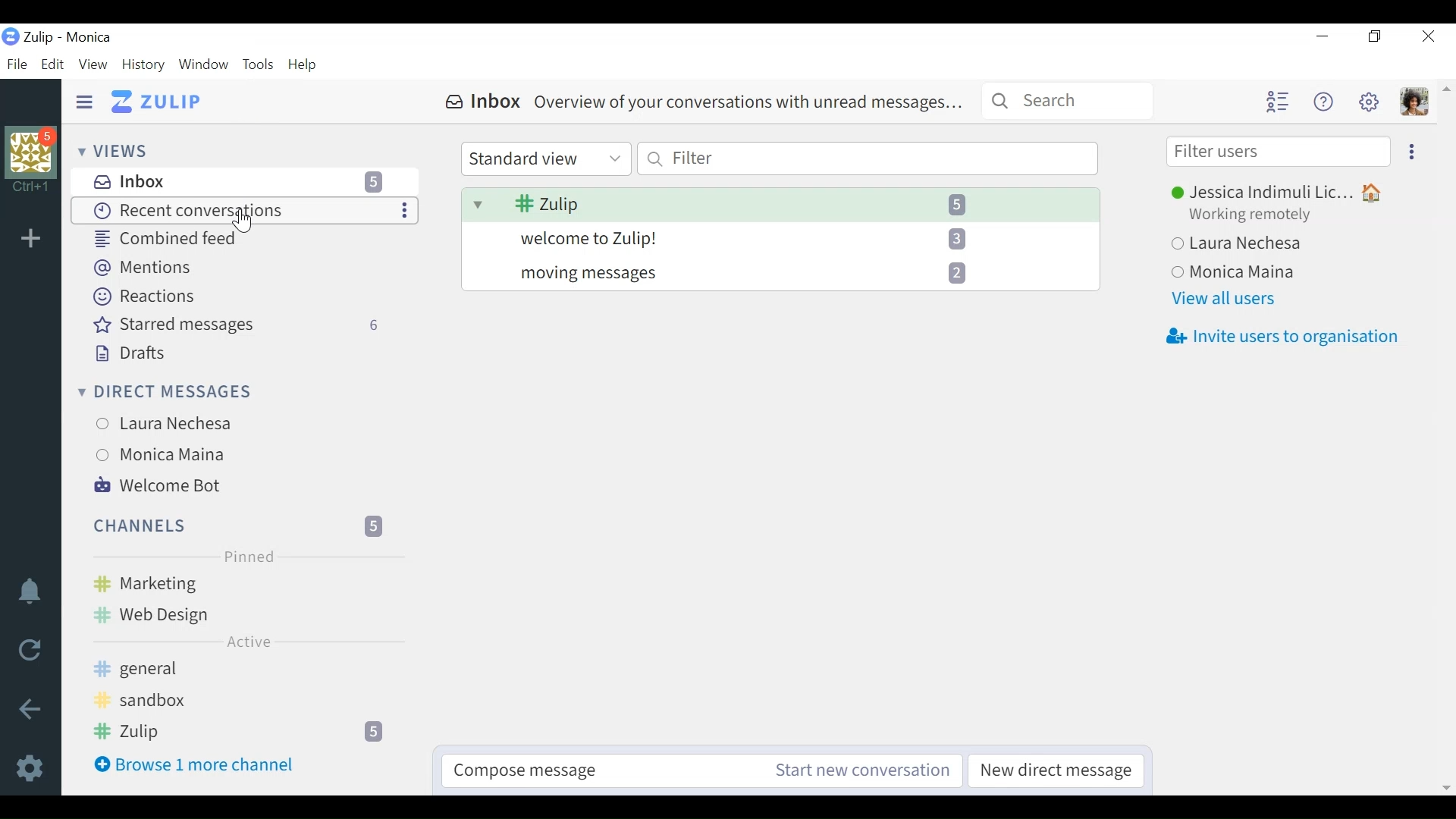 The height and width of the screenshot is (819, 1456). What do you see at coordinates (703, 102) in the screenshot?
I see `Inbox Overview of your conversations with unread messages...` at bounding box center [703, 102].